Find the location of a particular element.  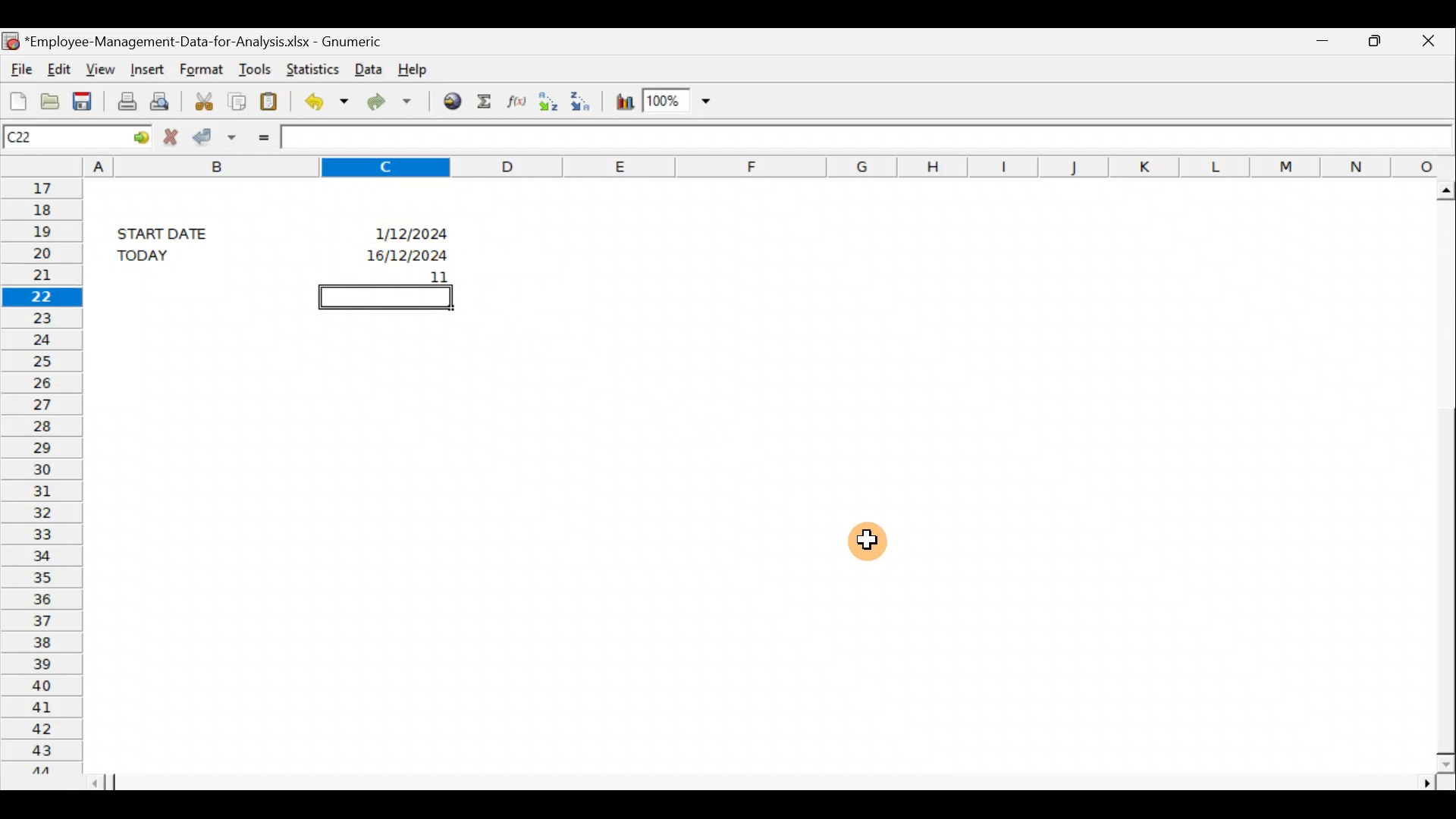

Print current file is located at coordinates (124, 100).